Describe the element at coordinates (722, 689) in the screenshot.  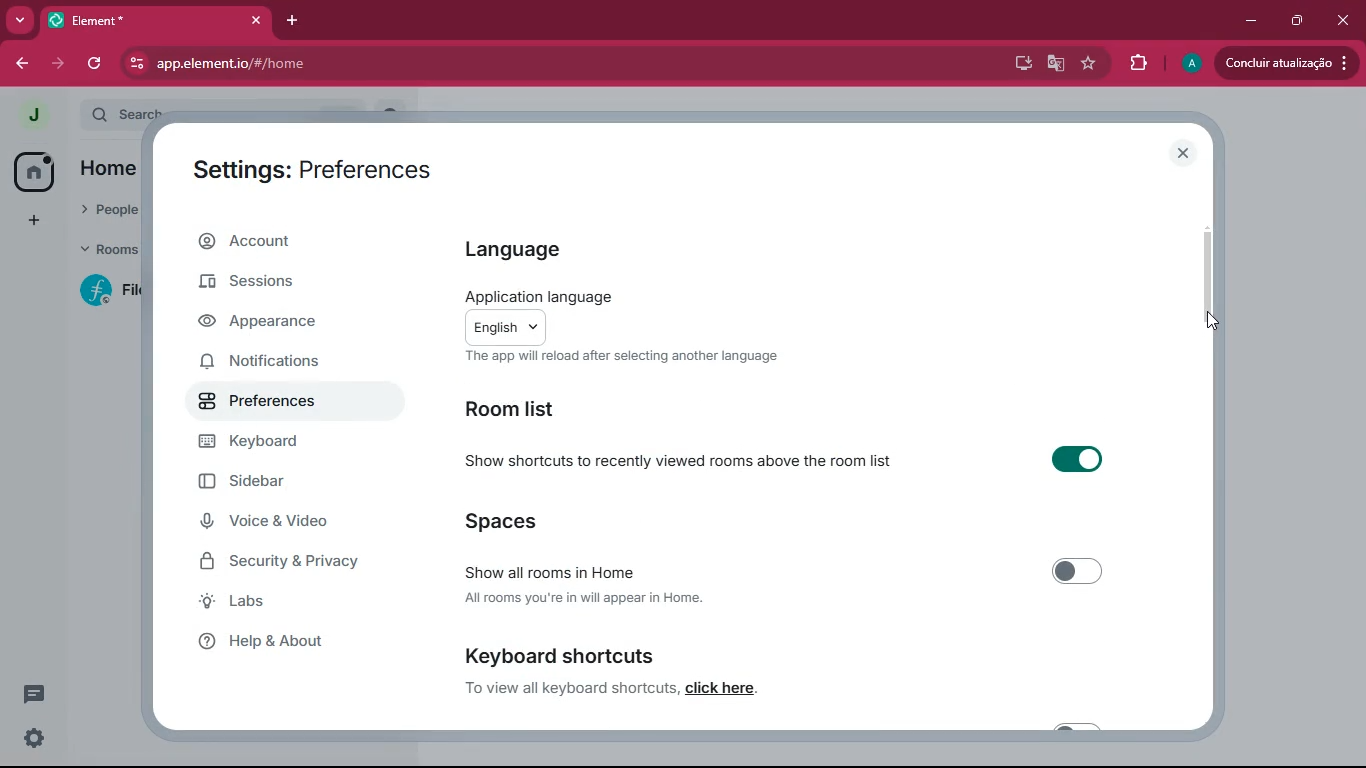
I see `click here` at that location.